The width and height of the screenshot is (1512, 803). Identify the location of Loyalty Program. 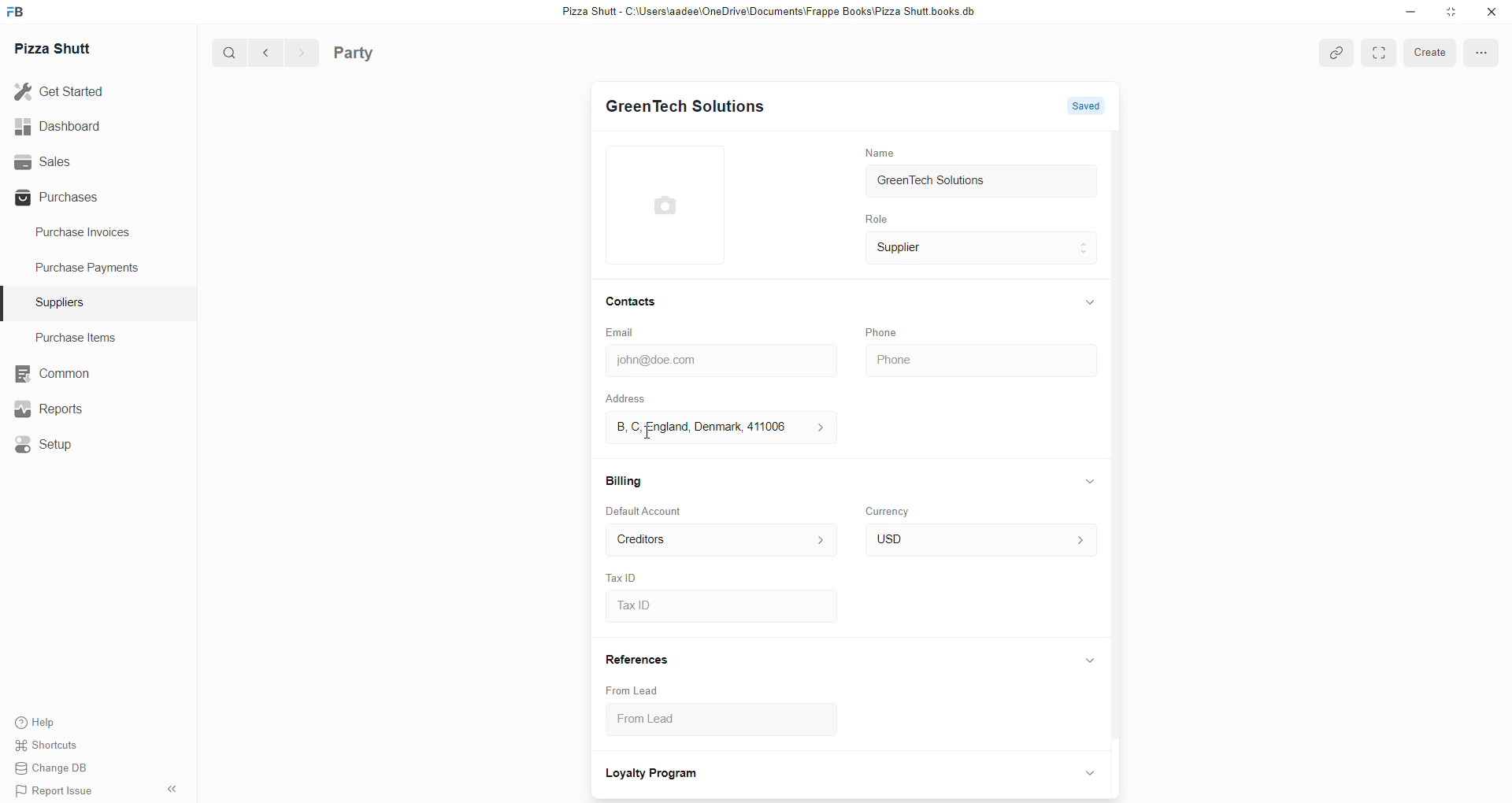
(654, 775).